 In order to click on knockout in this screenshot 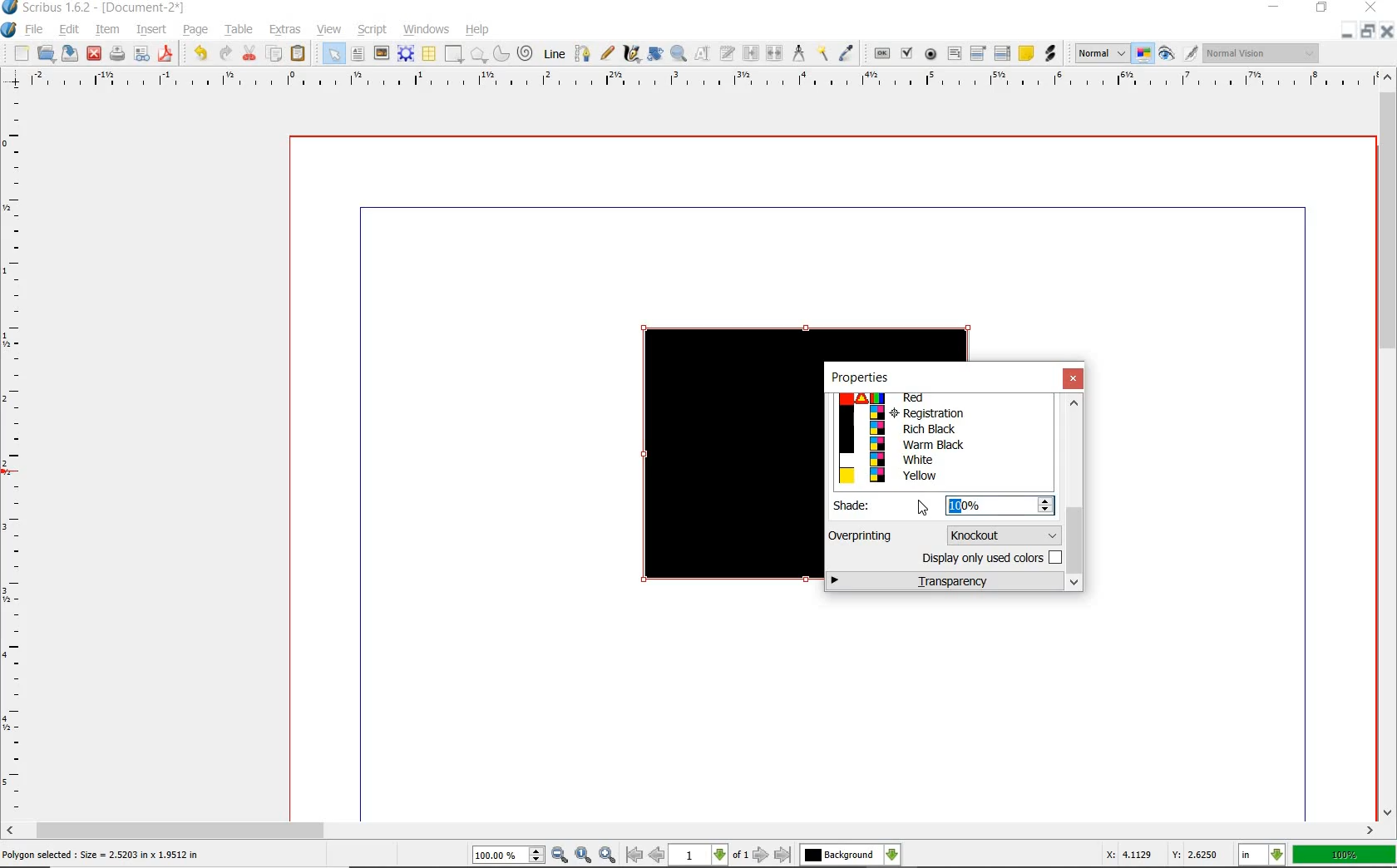, I will do `click(1001, 534)`.